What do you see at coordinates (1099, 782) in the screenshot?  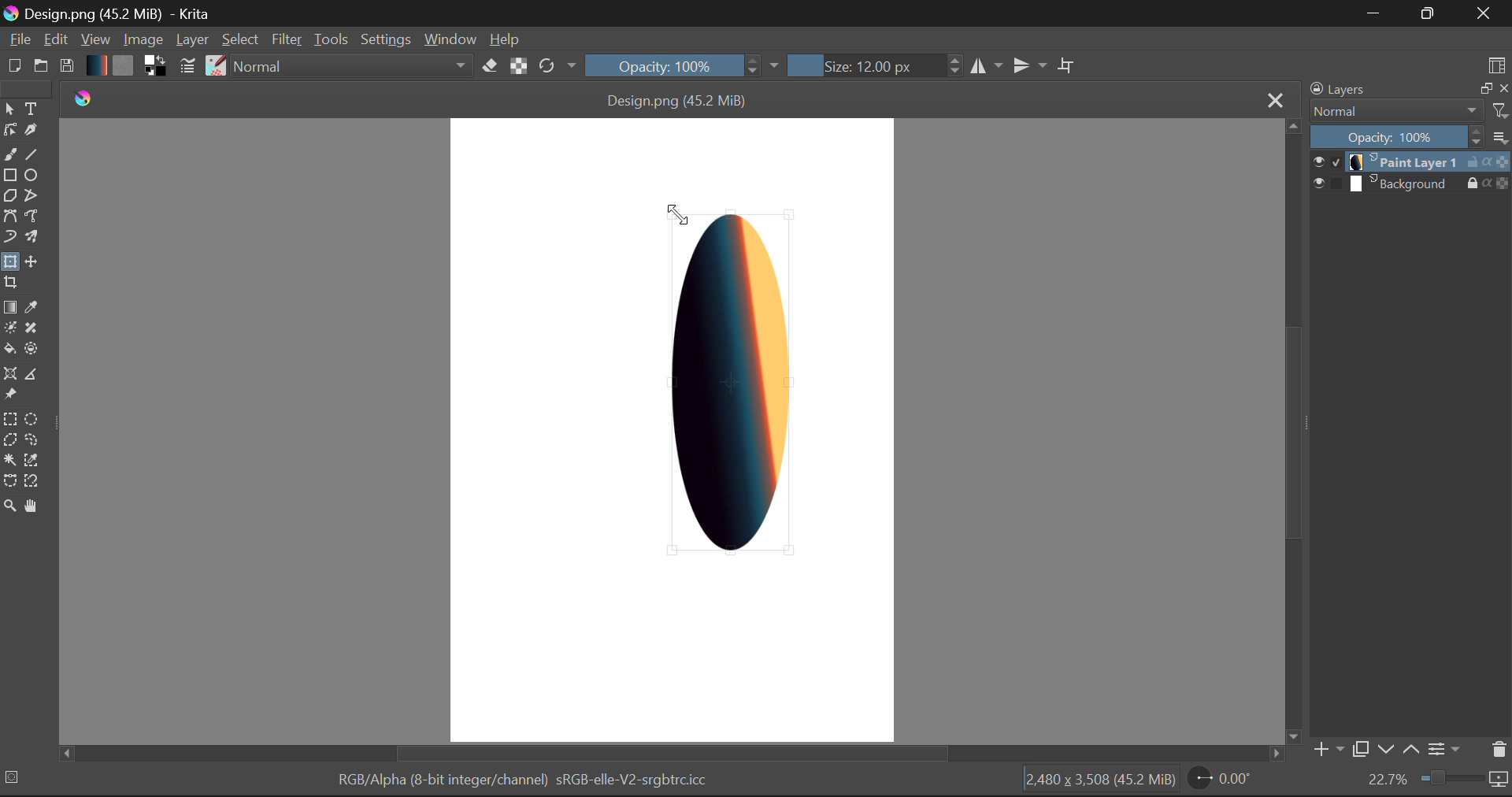 I see `2,480x3,508 (45.2)` at bounding box center [1099, 782].